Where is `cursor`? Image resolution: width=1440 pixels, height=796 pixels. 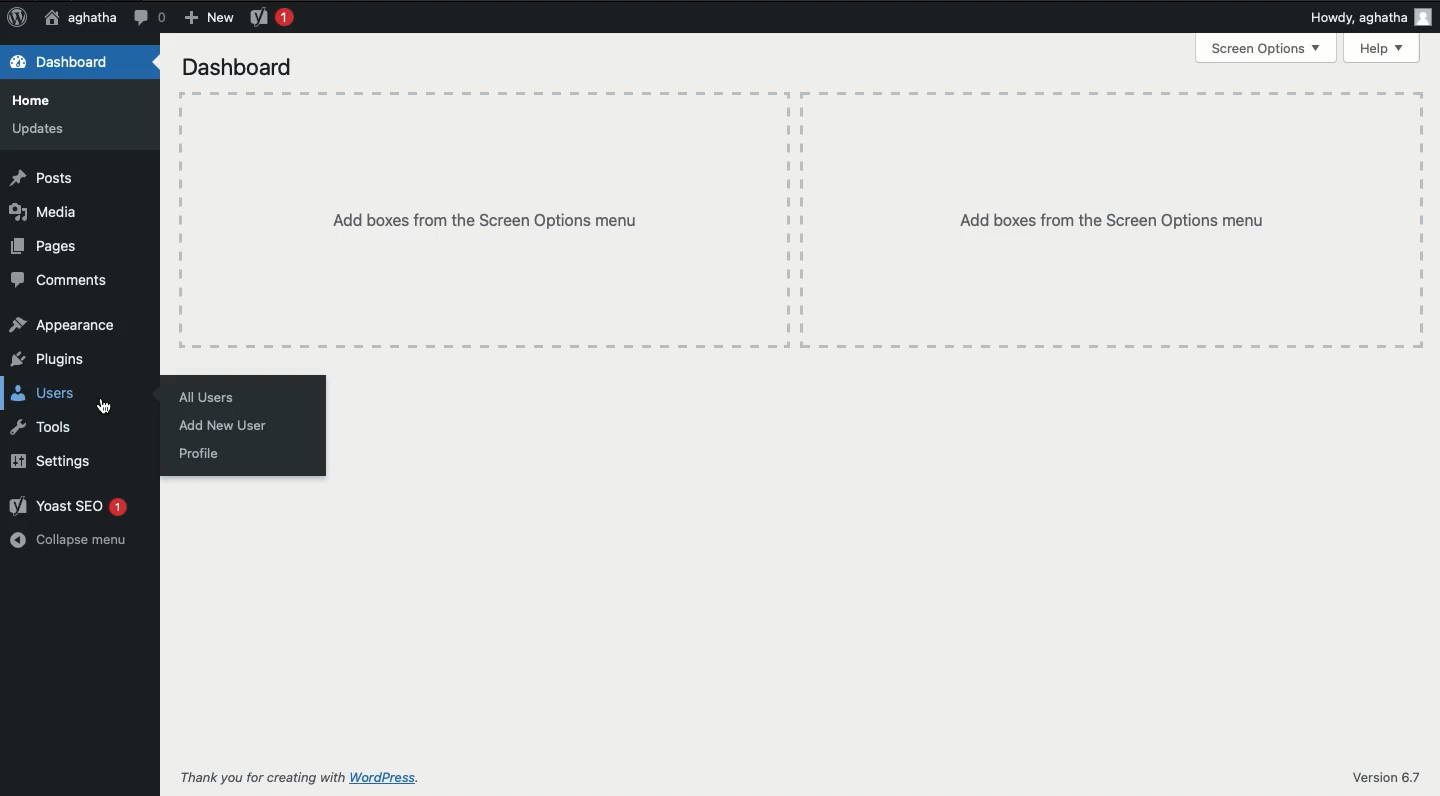 cursor is located at coordinates (105, 407).